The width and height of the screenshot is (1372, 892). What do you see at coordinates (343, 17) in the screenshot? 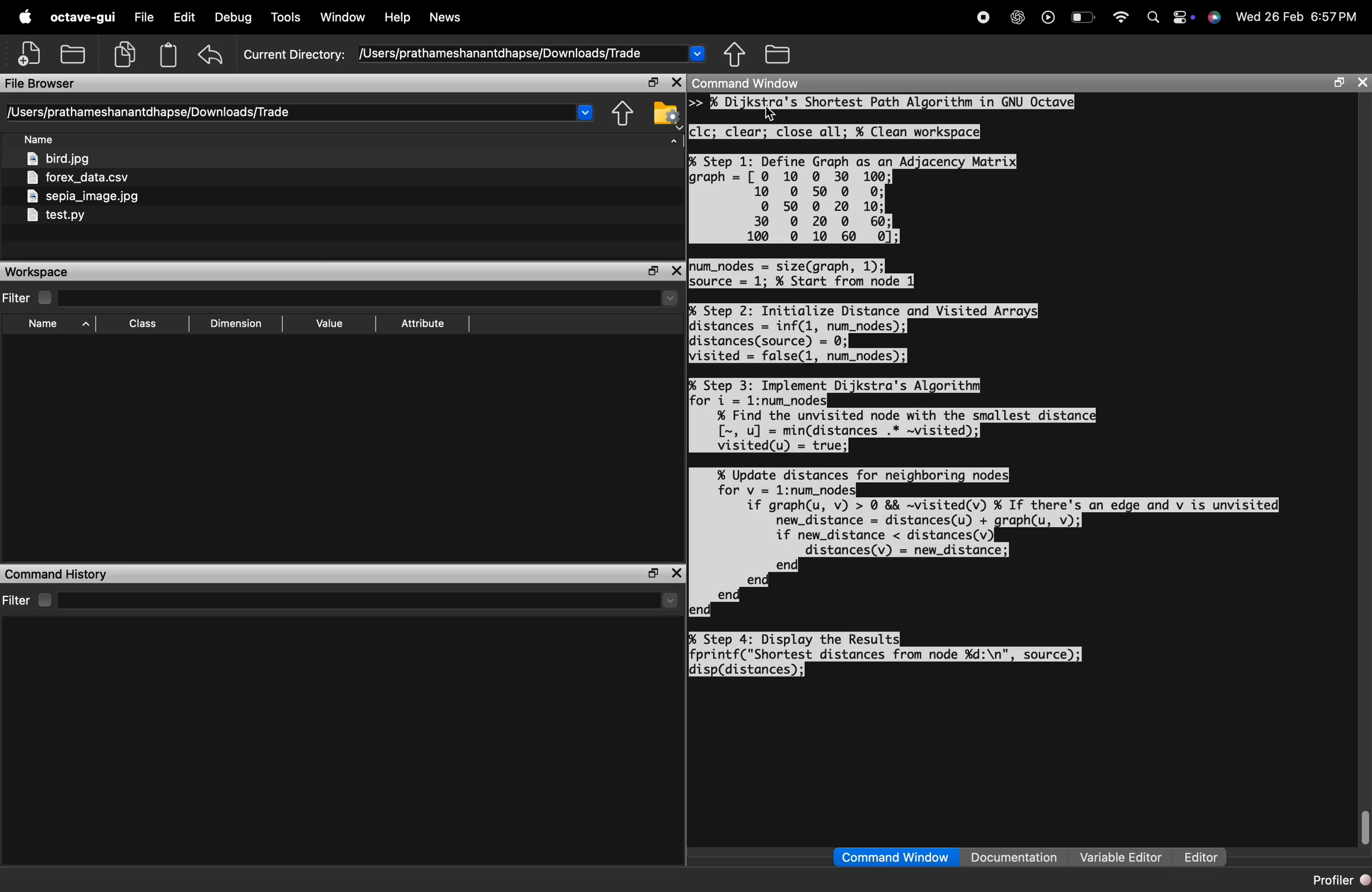
I see `window` at bounding box center [343, 17].